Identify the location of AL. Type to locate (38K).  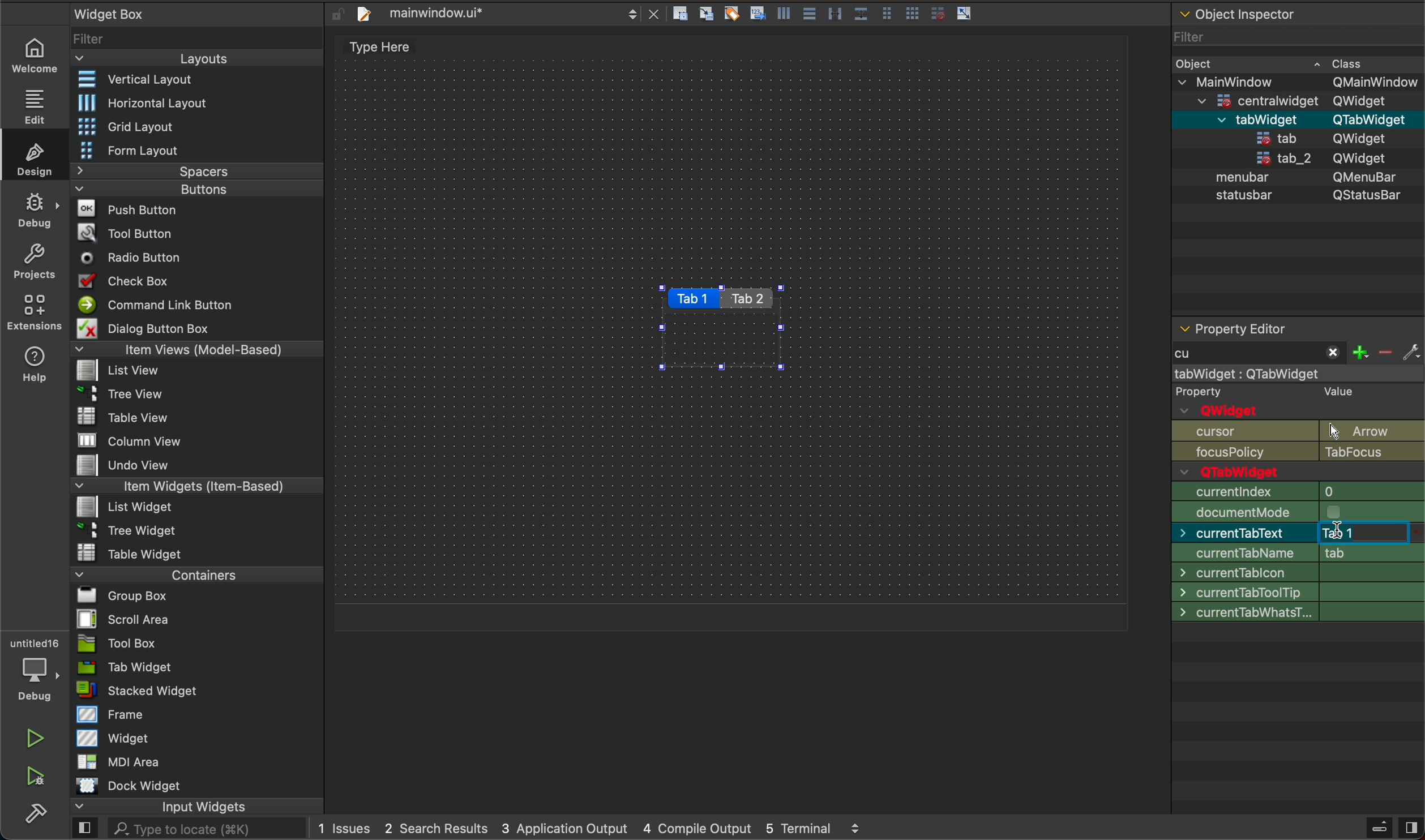
(195, 830).